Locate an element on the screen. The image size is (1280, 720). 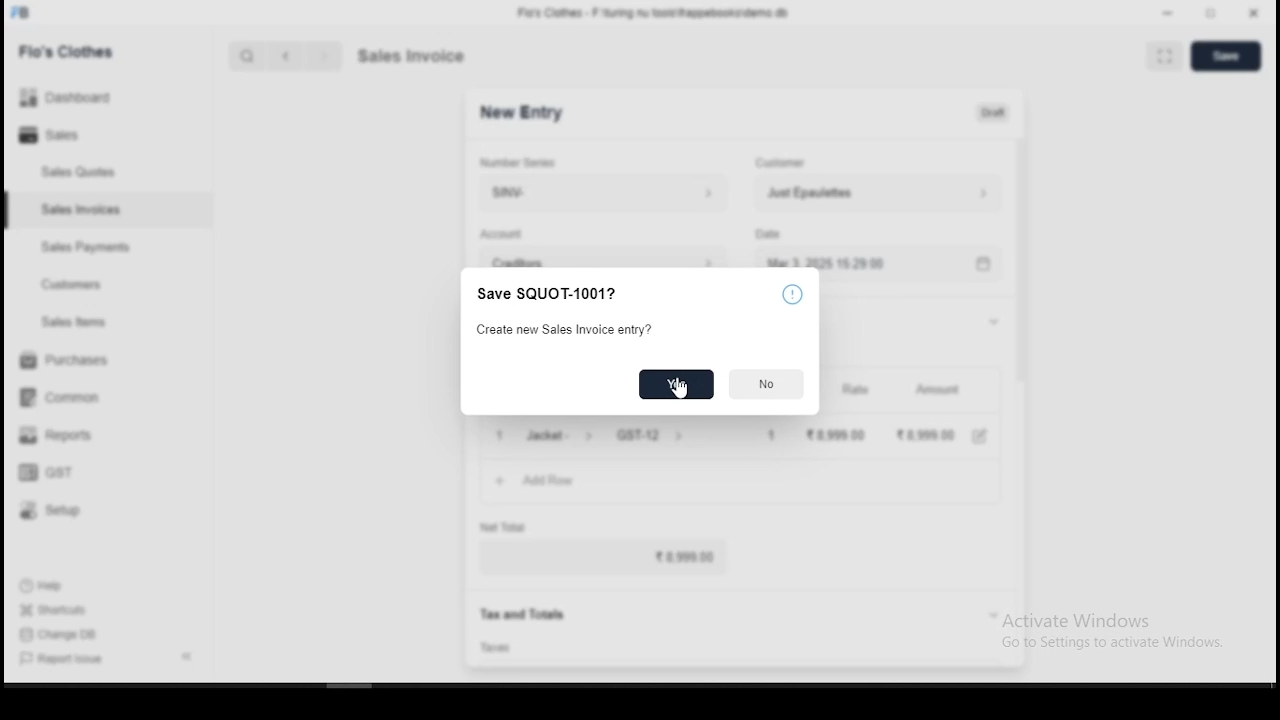
change DB is located at coordinates (74, 635).